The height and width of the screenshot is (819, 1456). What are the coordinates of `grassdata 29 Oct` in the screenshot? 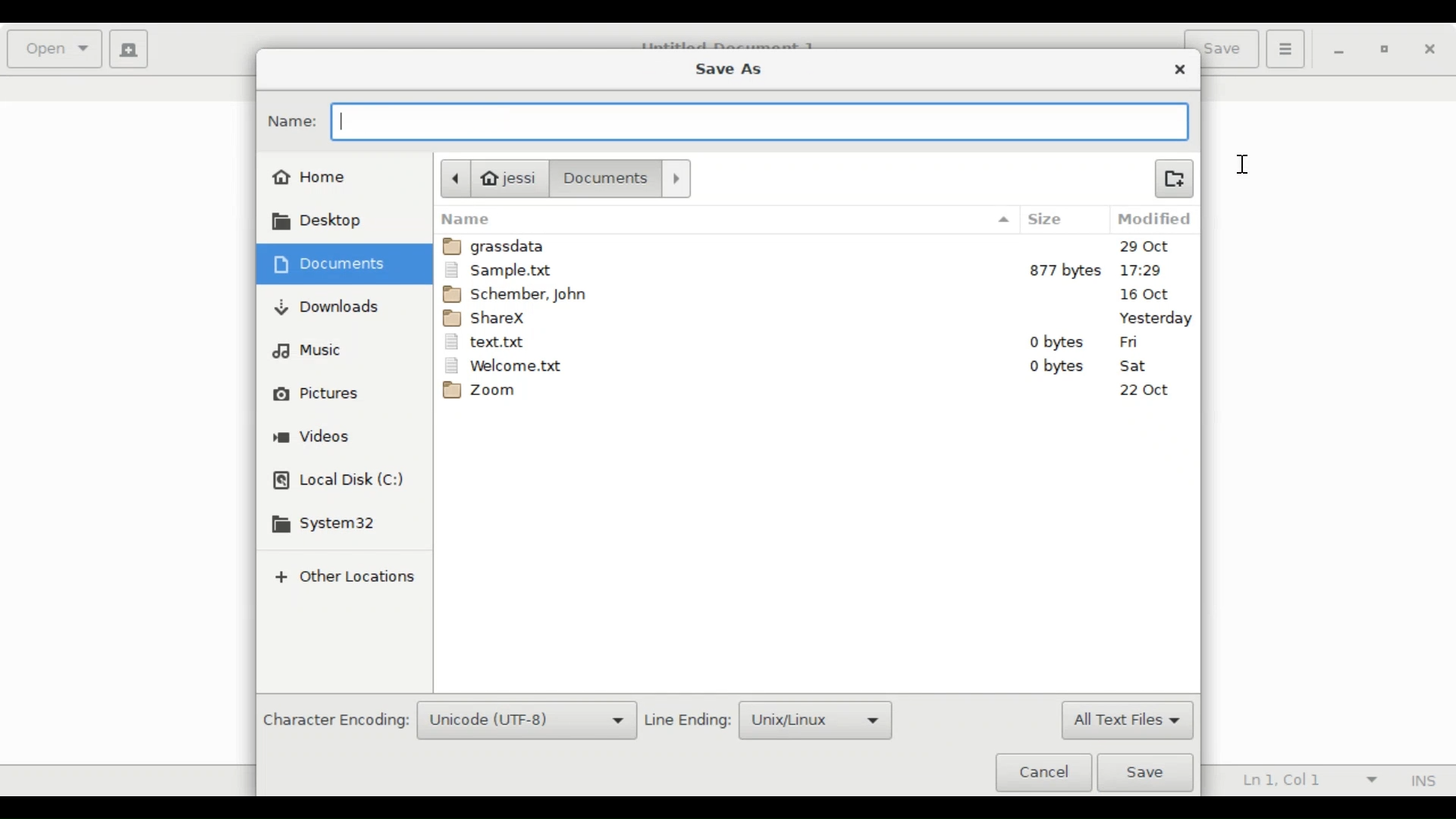 It's located at (818, 246).